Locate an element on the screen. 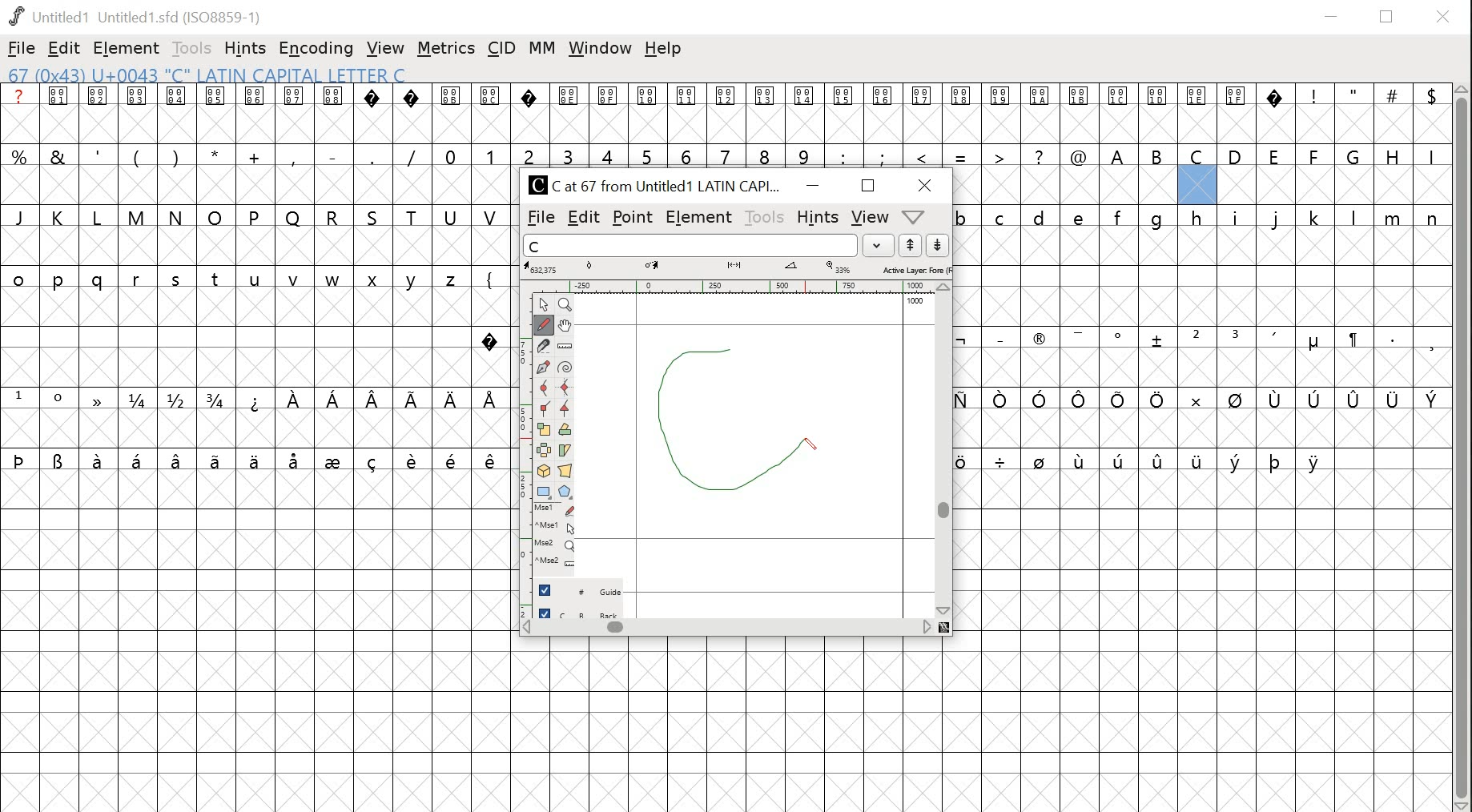 This screenshot has height=812, width=1472. HV curve is located at coordinates (567, 389).